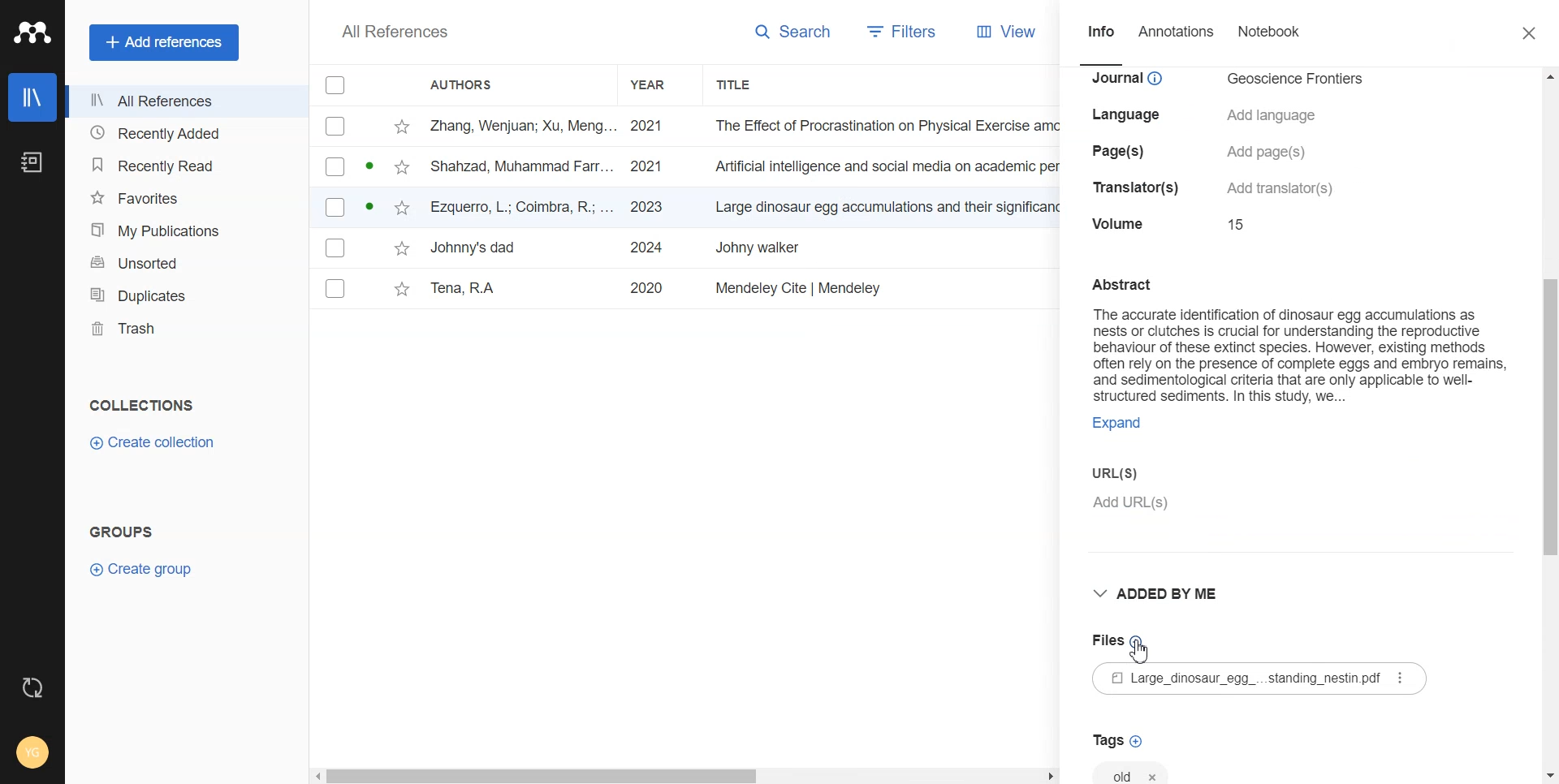  What do you see at coordinates (399, 32) in the screenshot?
I see `Text` at bounding box center [399, 32].